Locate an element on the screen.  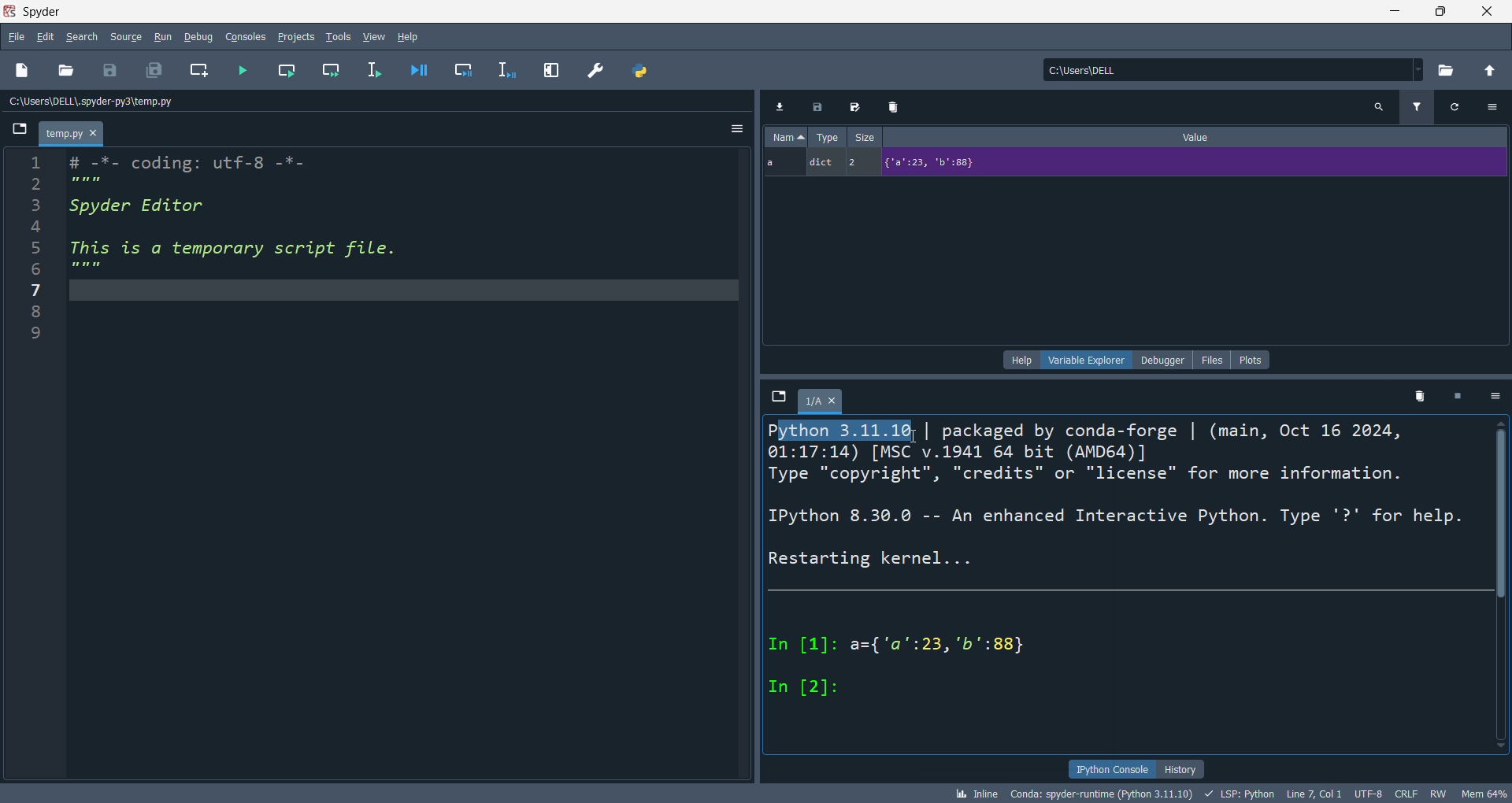
delete is located at coordinates (1419, 394).